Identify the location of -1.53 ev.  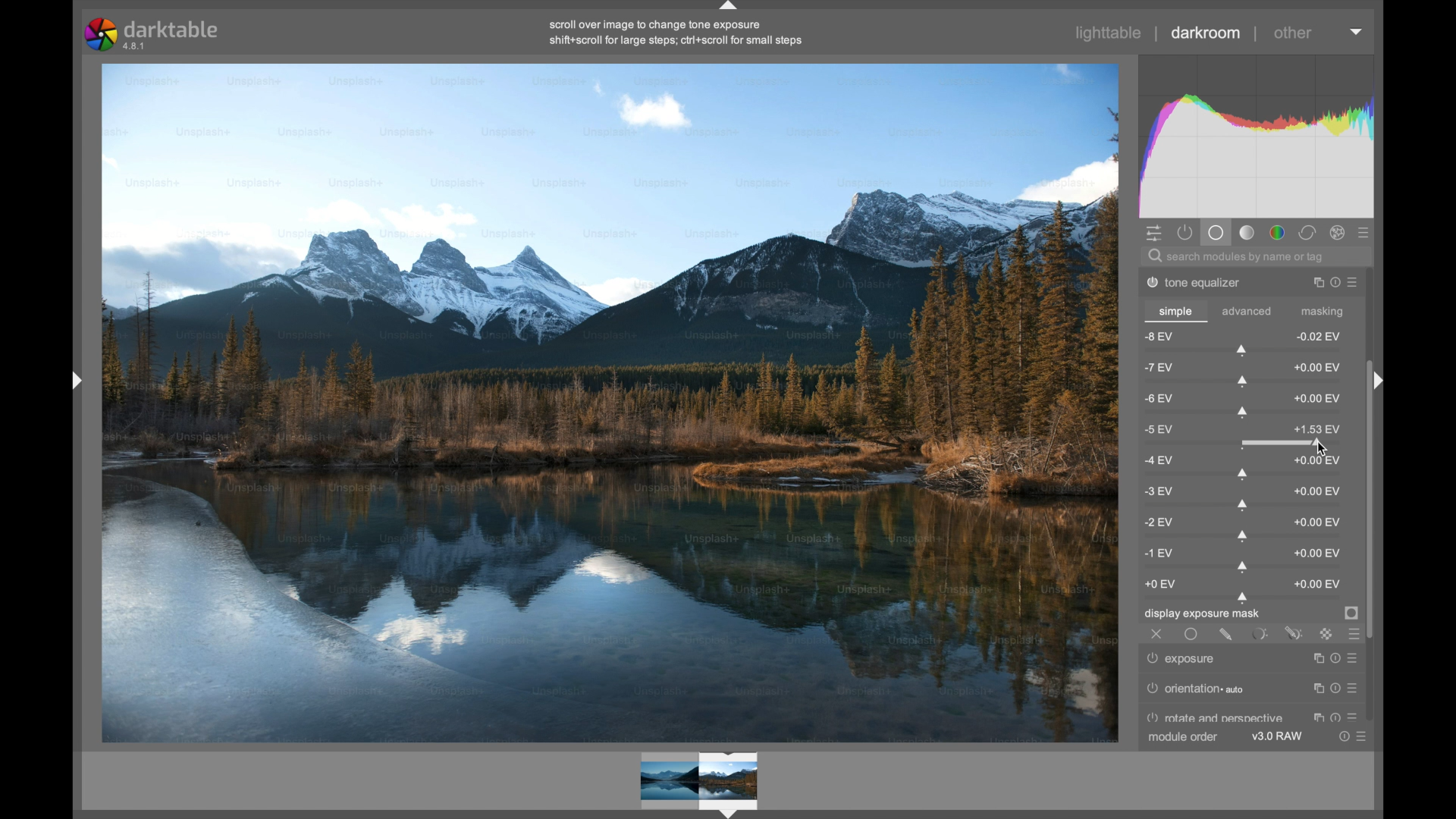
(1319, 427).